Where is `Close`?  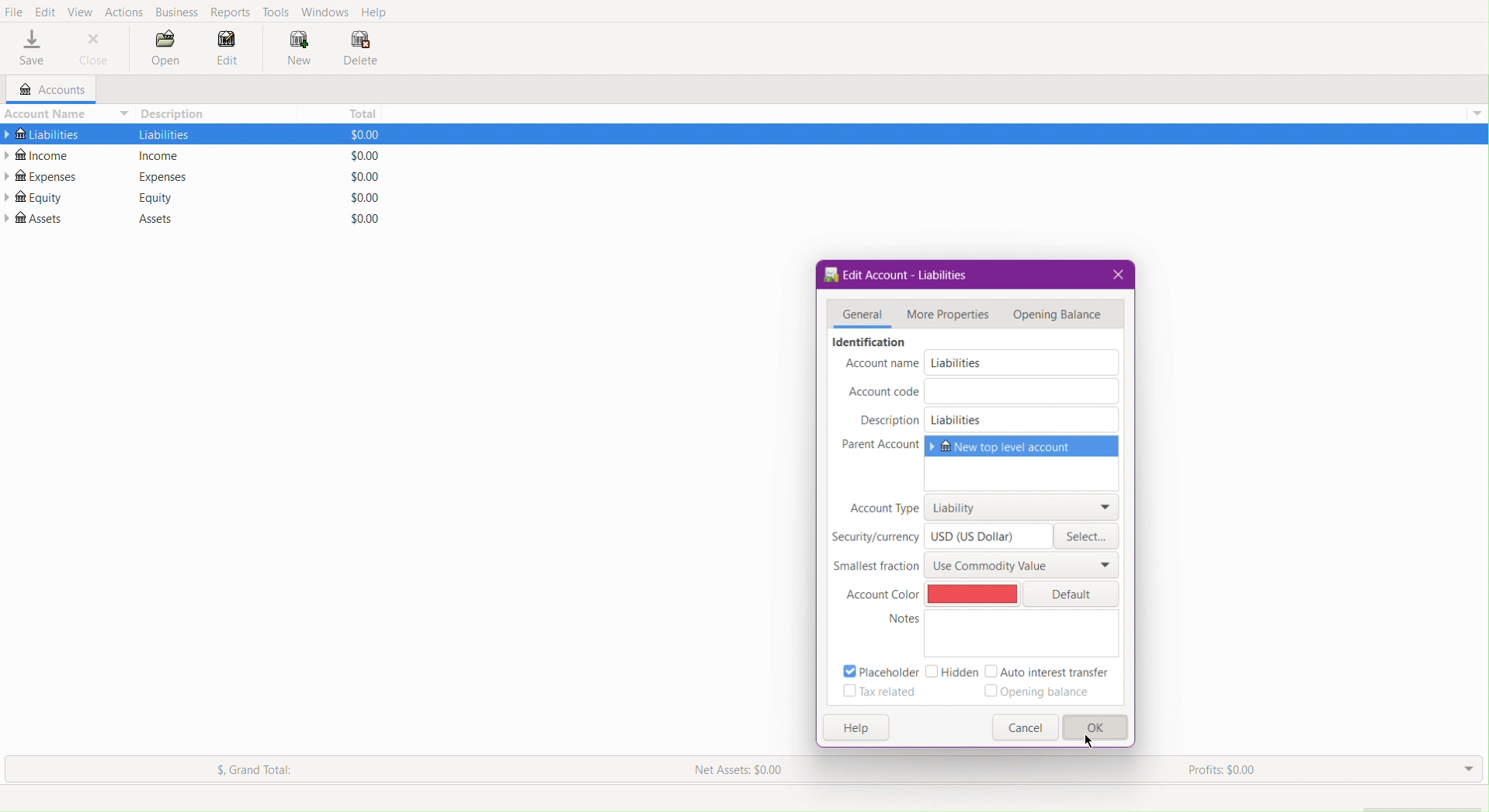 Close is located at coordinates (95, 48).